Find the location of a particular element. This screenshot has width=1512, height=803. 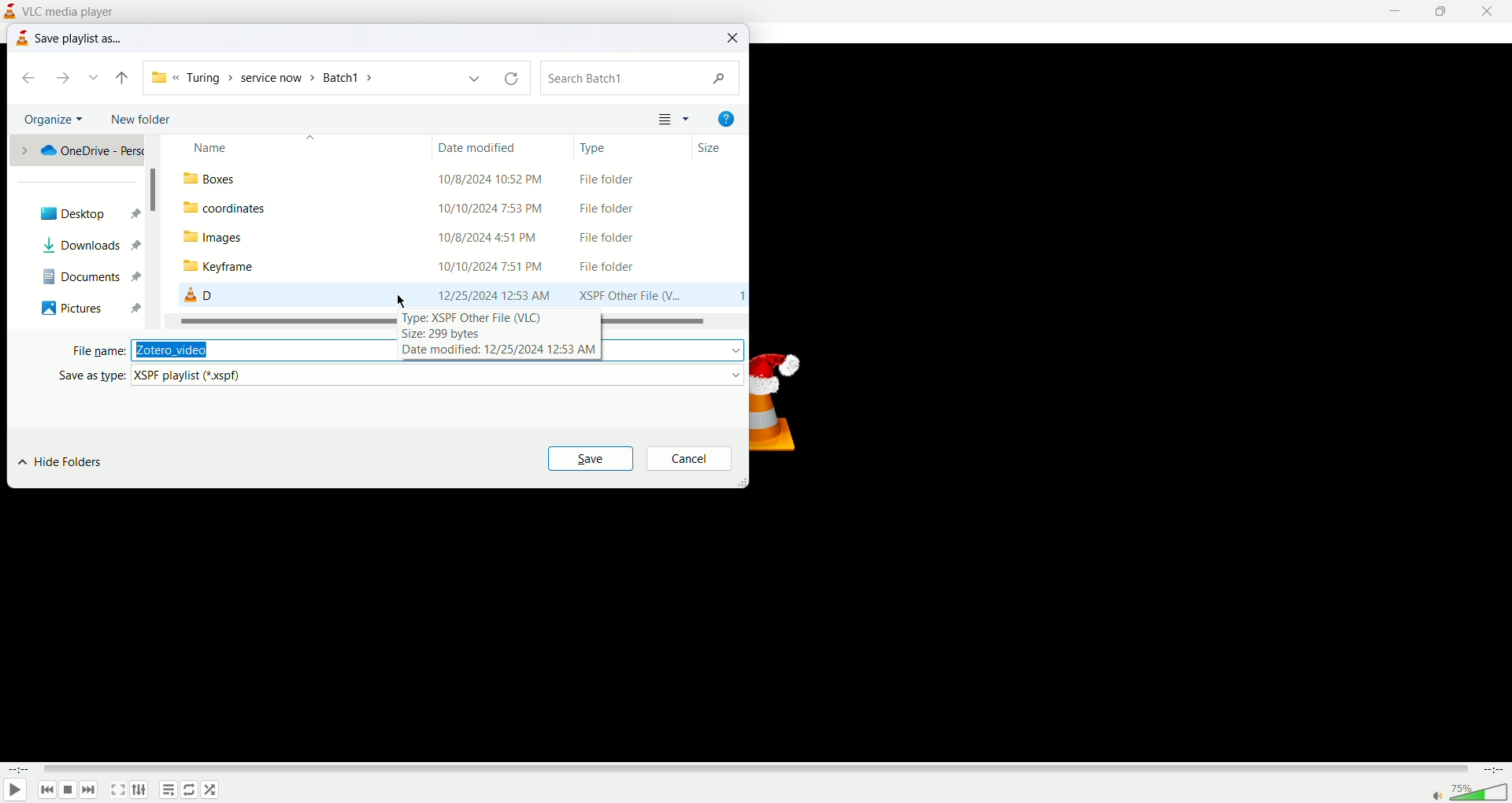

toggle fullscreen is located at coordinates (117, 791).